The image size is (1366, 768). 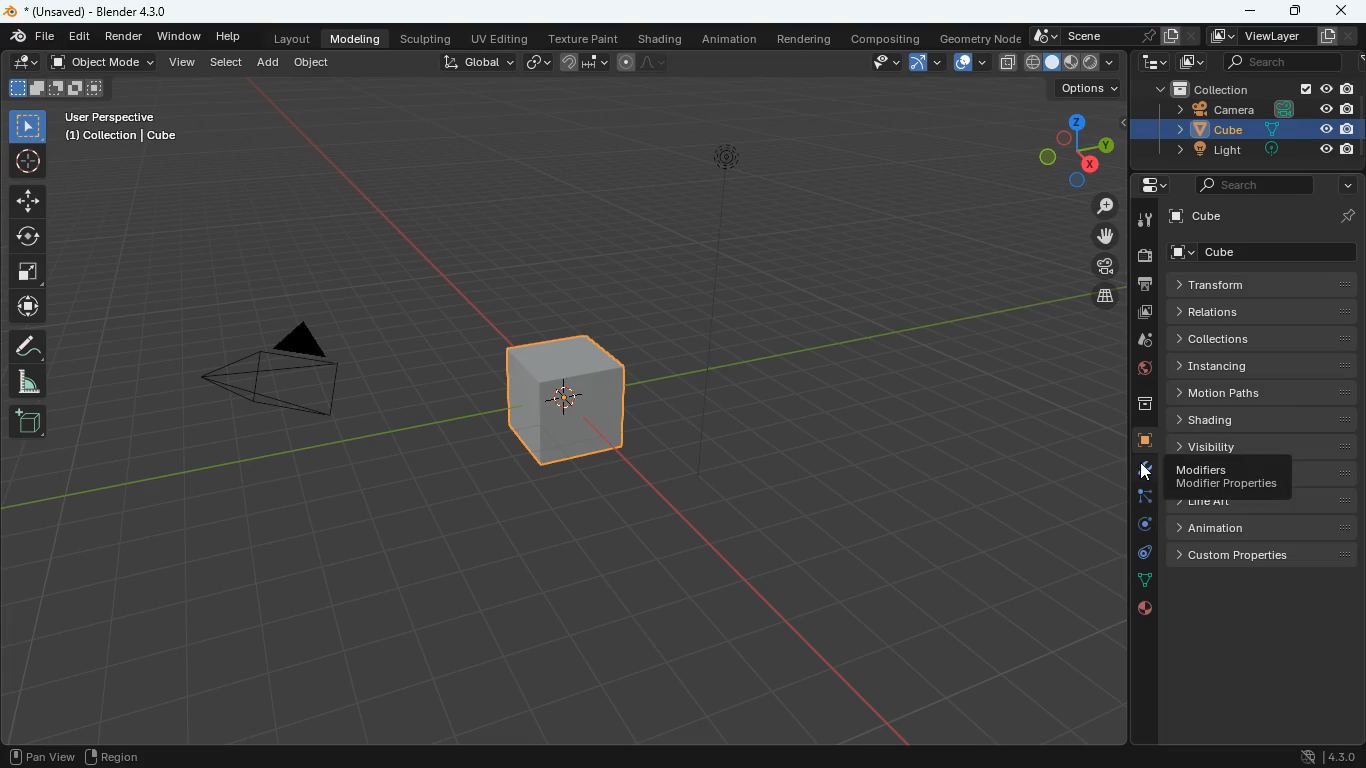 What do you see at coordinates (23, 274) in the screenshot?
I see `fullscreen` at bounding box center [23, 274].